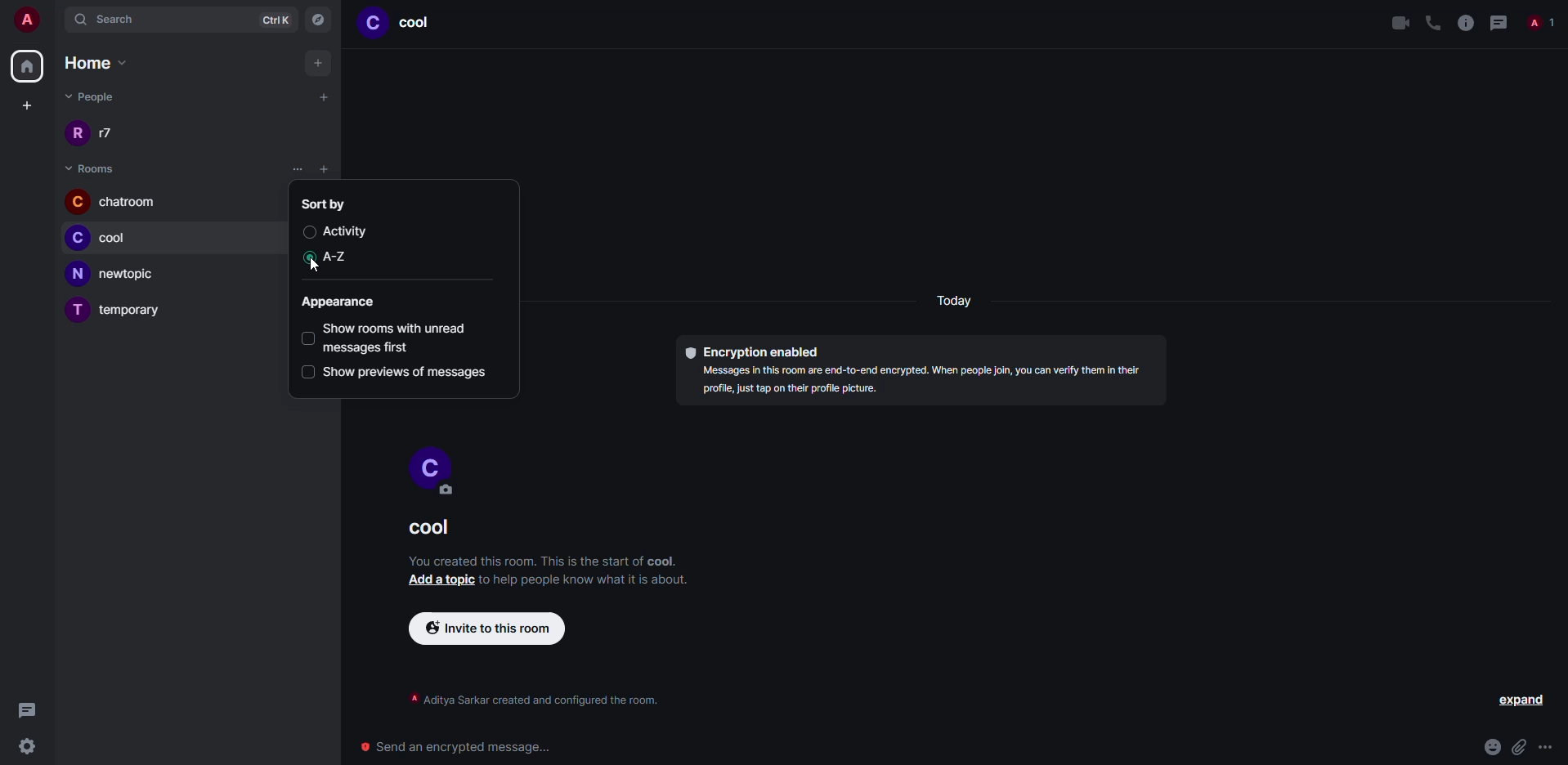  Describe the element at coordinates (325, 204) in the screenshot. I see `sort by` at that location.